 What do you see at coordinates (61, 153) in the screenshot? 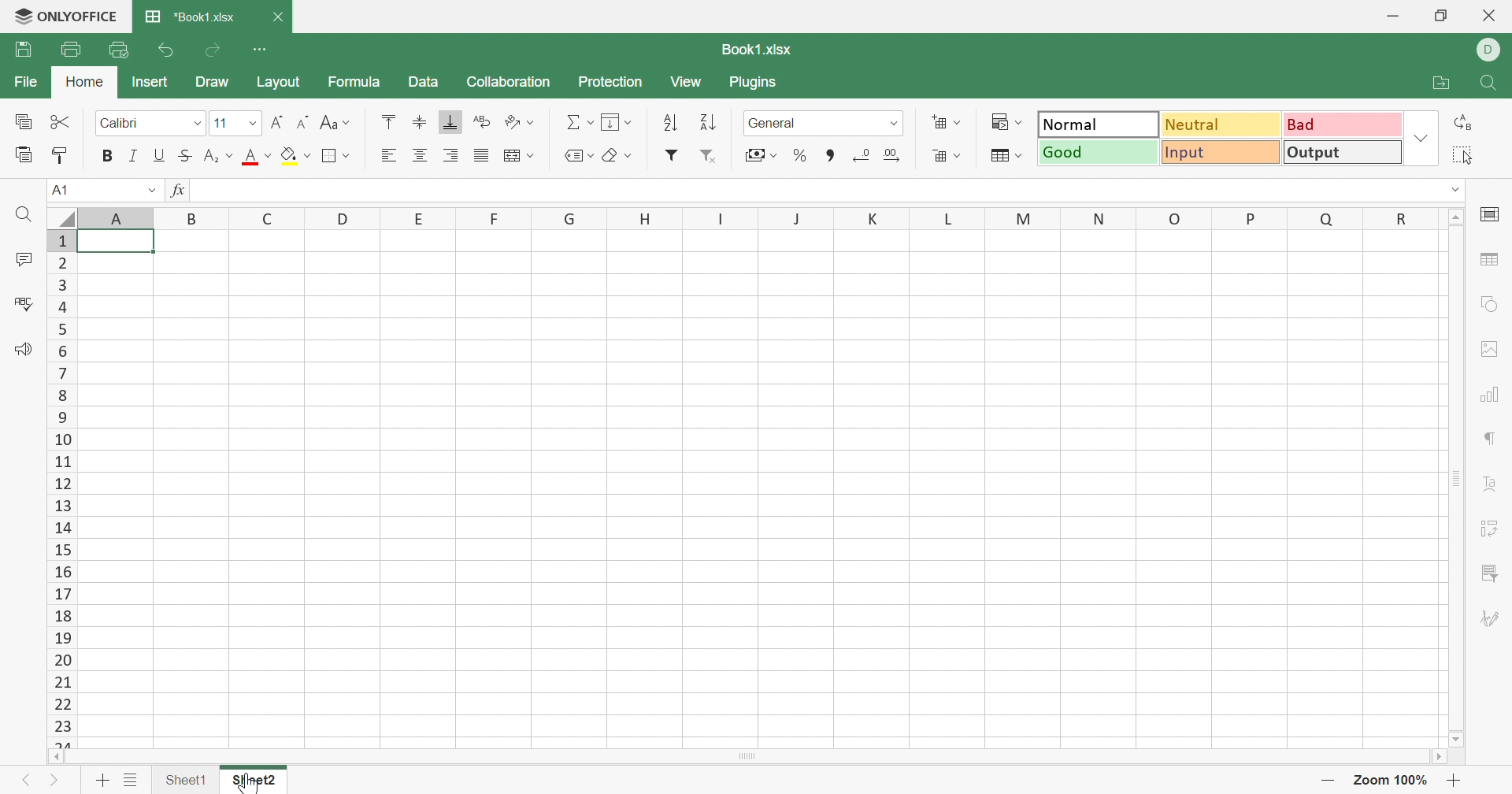
I see `Copy Style` at bounding box center [61, 153].